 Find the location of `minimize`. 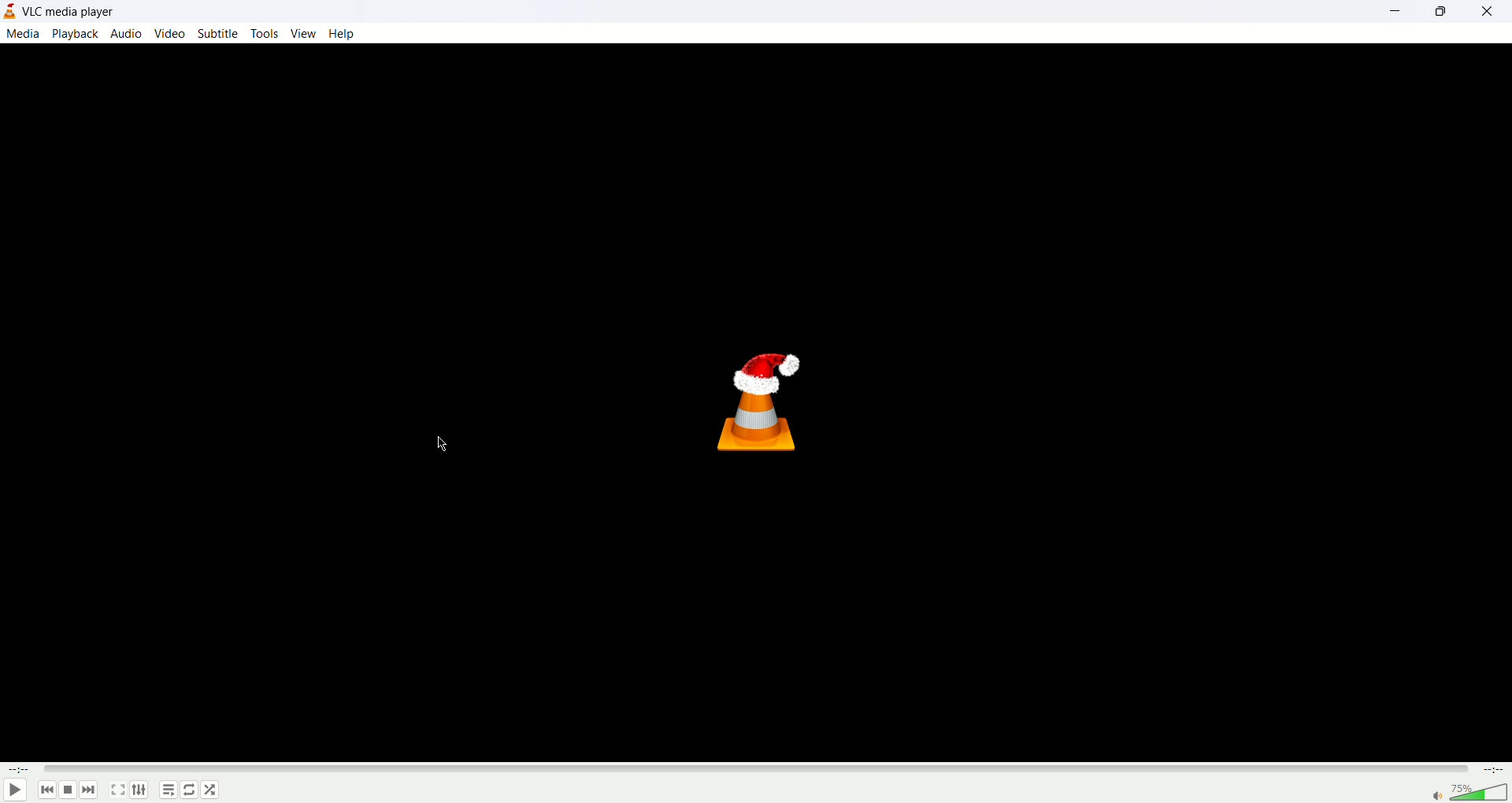

minimize is located at coordinates (1402, 12).